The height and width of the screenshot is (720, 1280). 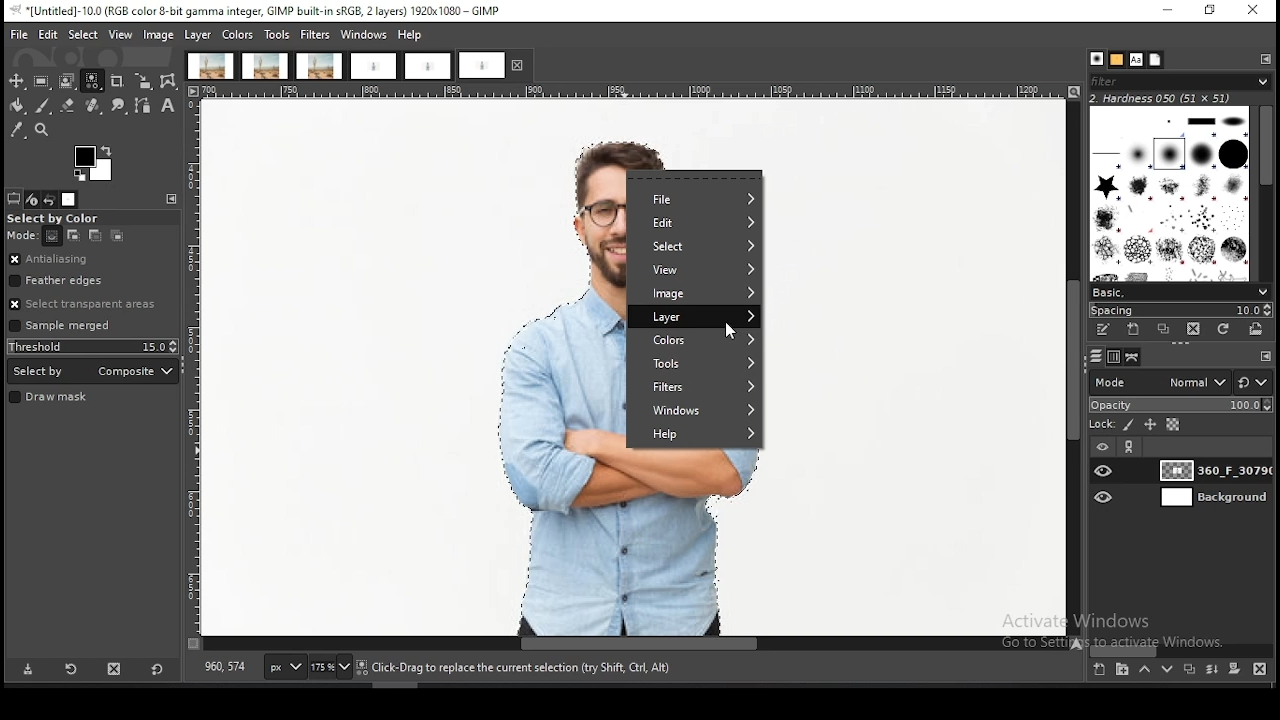 I want to click on healing tool, so click(x=94, y=106).